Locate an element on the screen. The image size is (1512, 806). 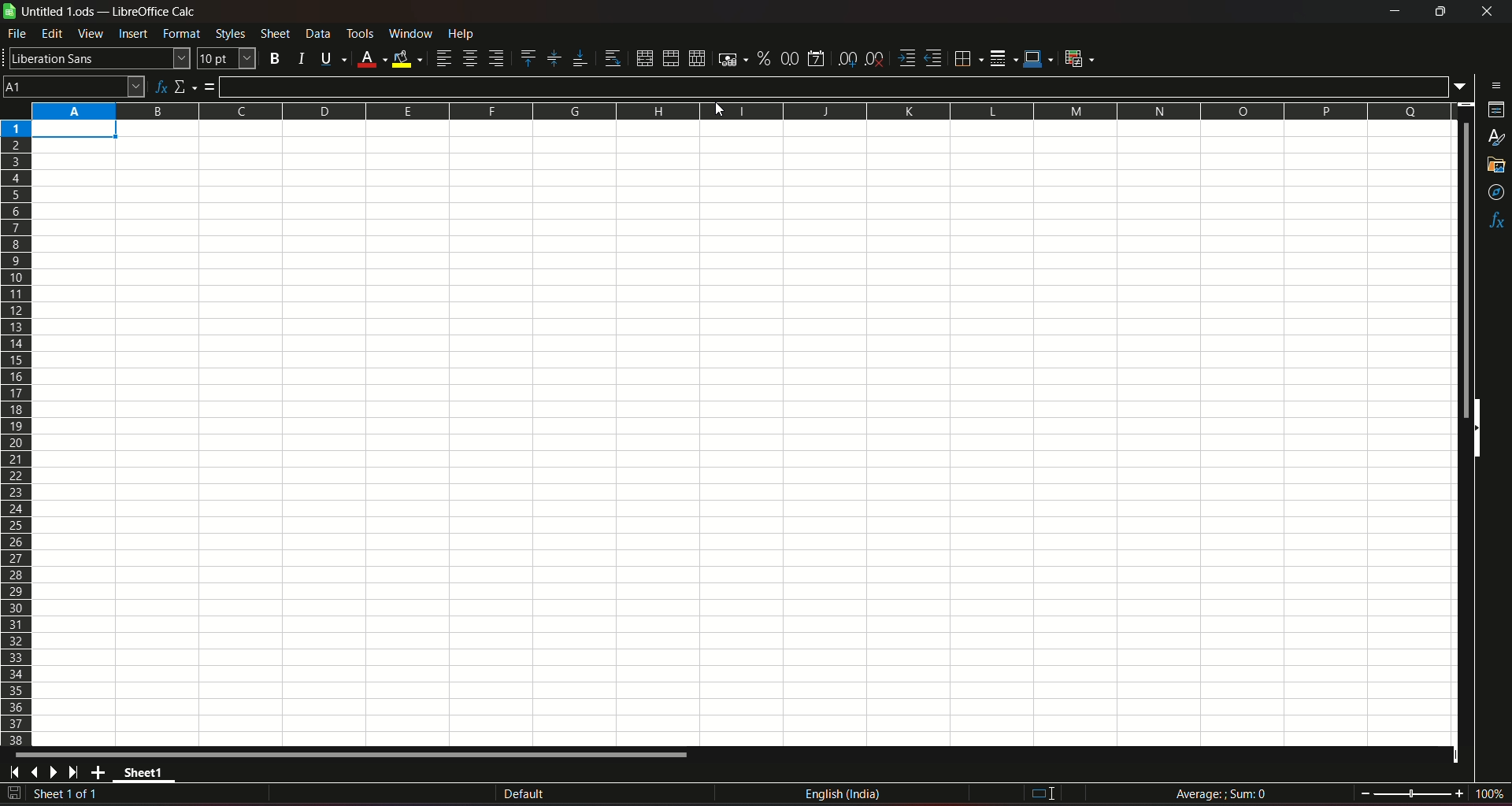
tools is located at coordinates (361, 33).